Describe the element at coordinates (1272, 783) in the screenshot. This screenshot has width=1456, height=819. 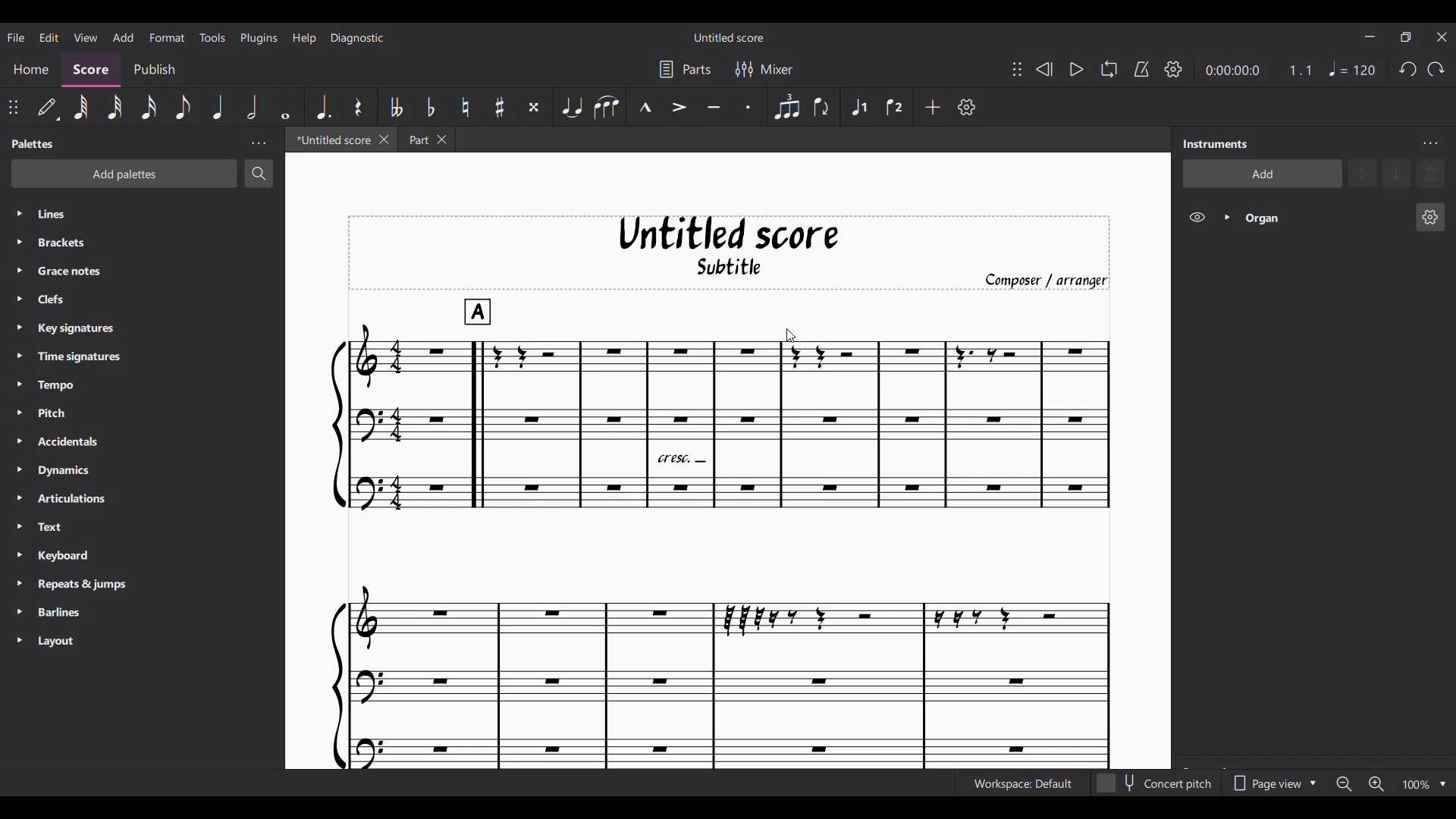
I see `Page view options` at that location.